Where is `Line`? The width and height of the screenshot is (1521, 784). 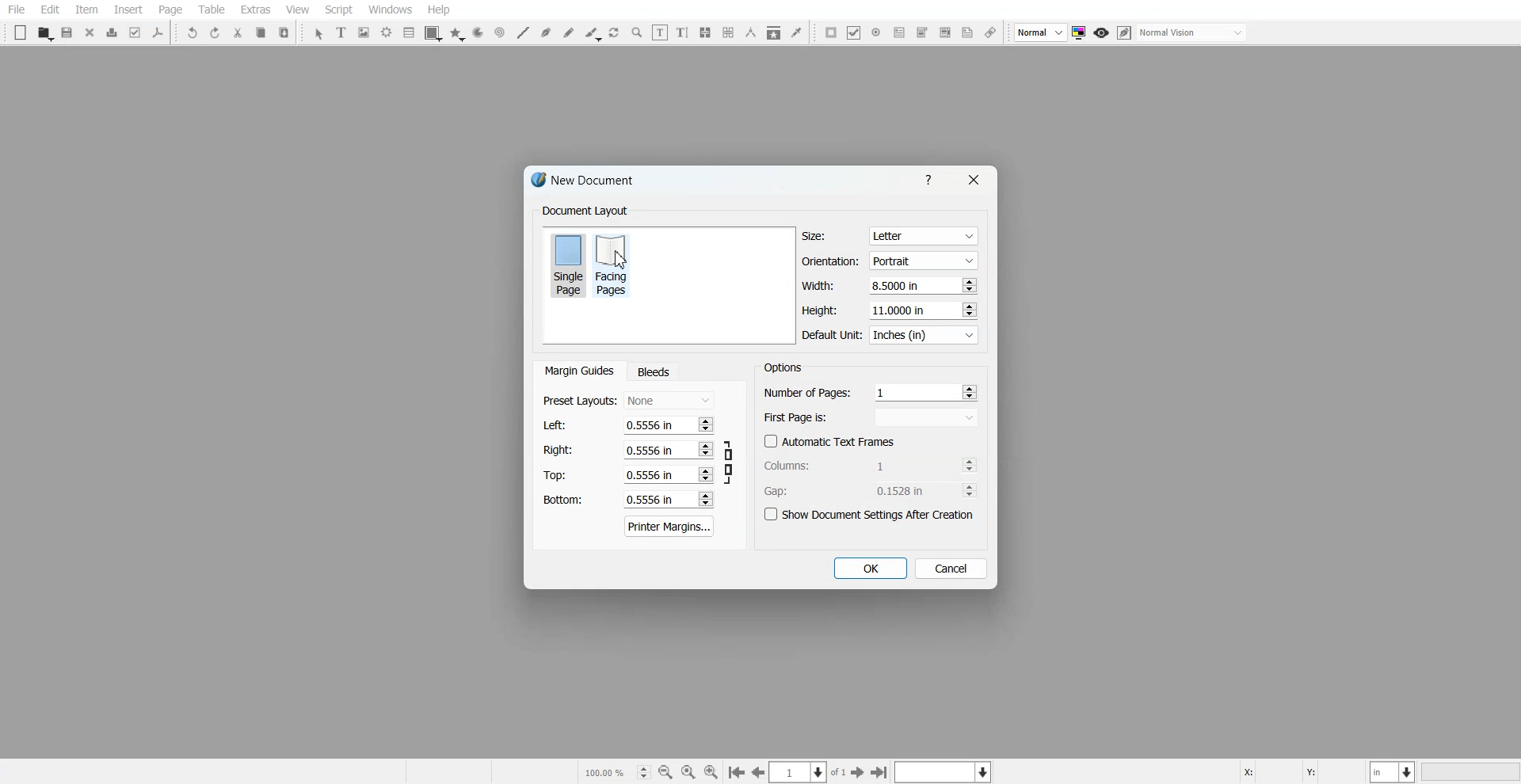 Line is located at coordinates (522, 32).